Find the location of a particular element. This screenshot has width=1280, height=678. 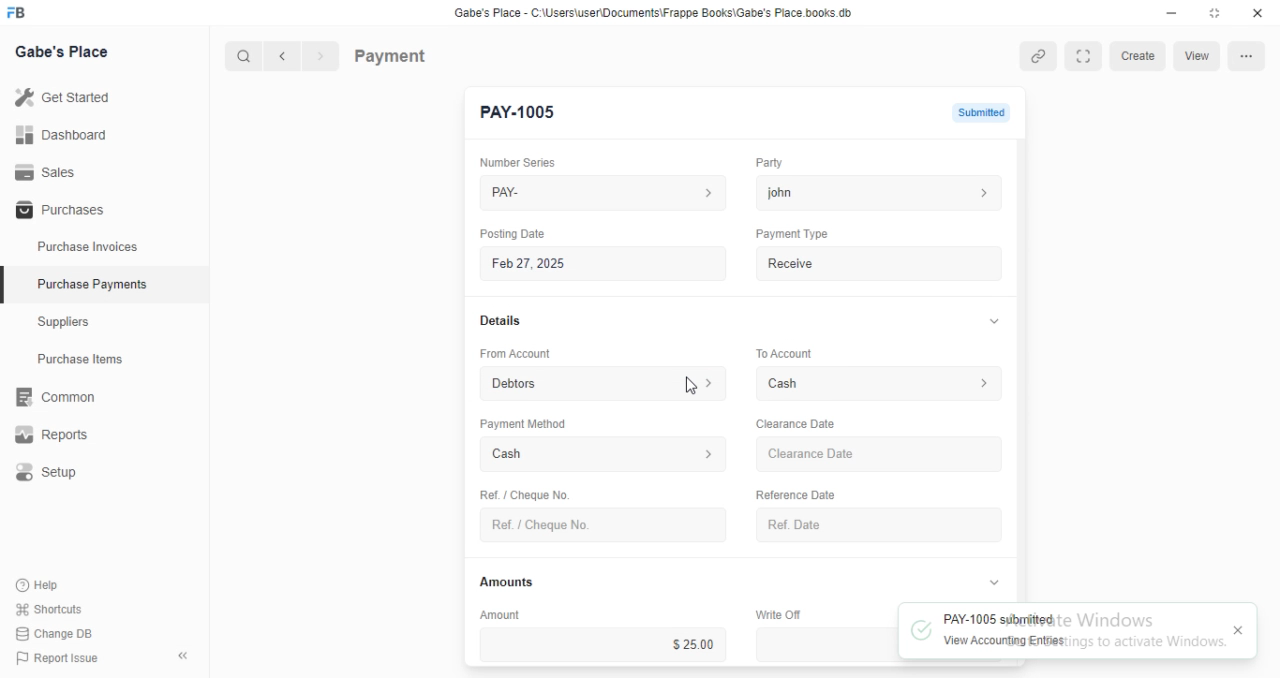

cursor is located at coordinates (691, 384).